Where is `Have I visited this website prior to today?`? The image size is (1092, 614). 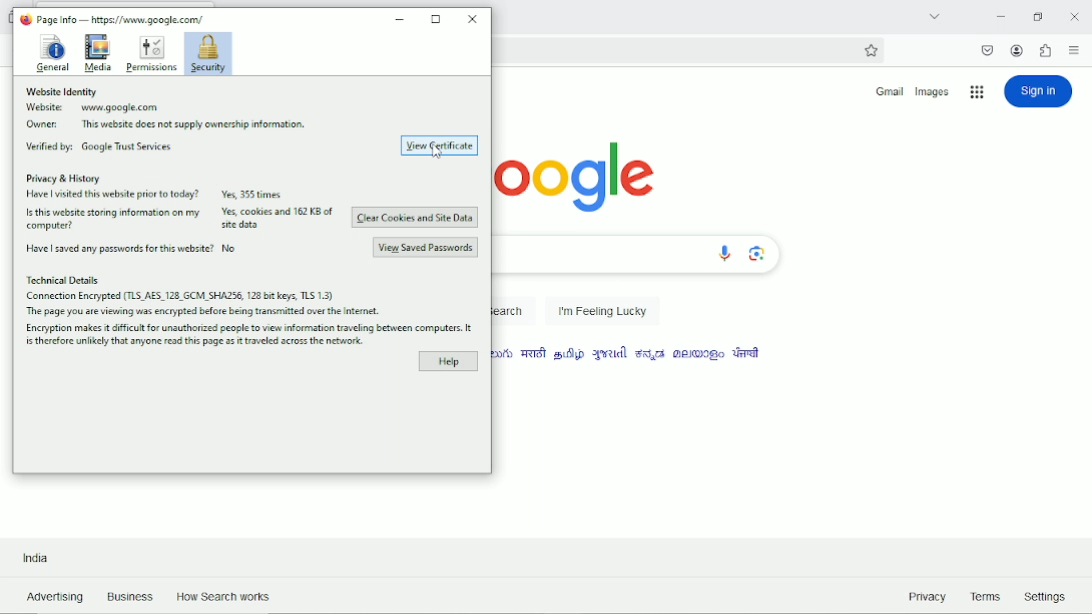
Have I visited this website prior to today? is located at coordinates (113, 196).